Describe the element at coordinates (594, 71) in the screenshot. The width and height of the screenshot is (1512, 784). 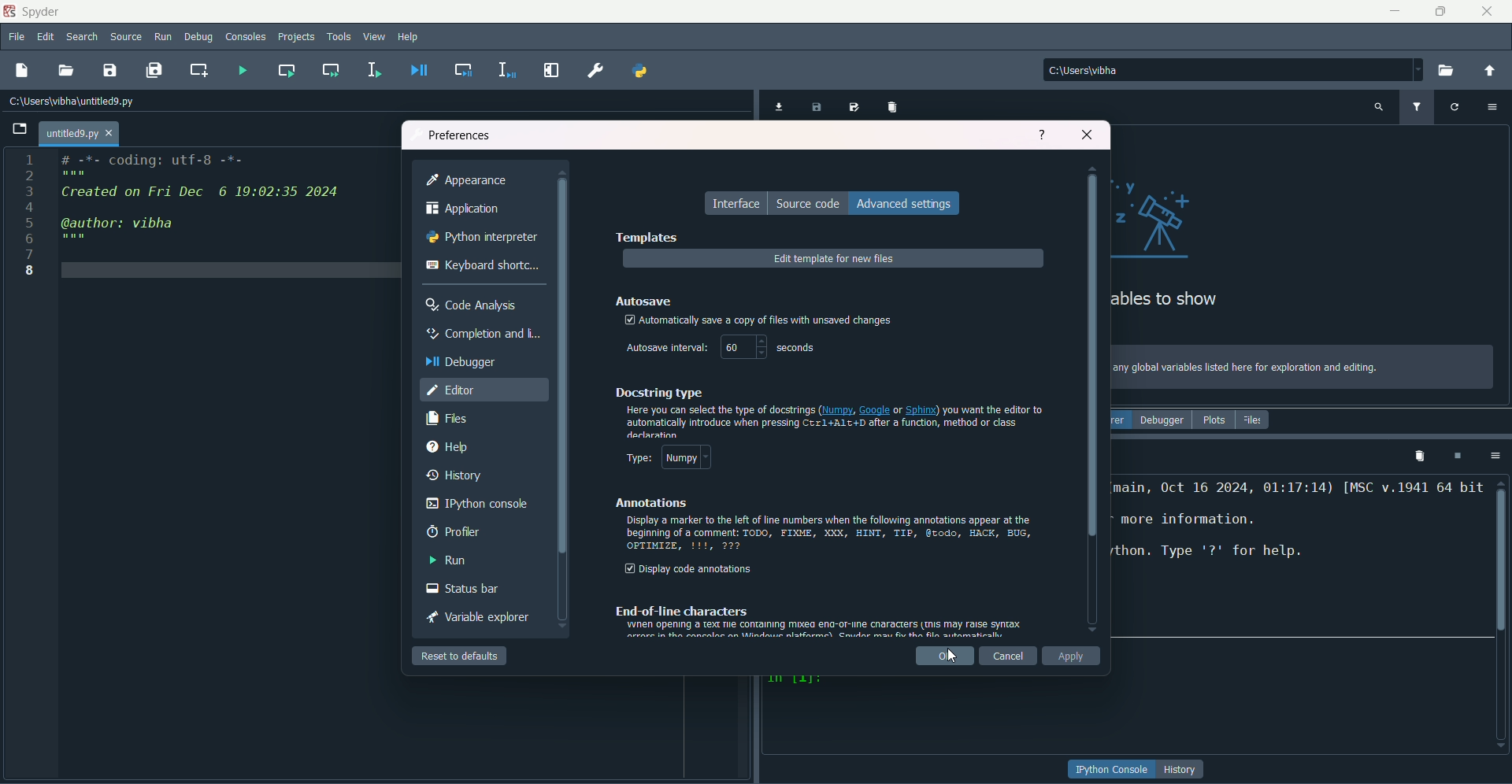
I see `preferences` at that location.